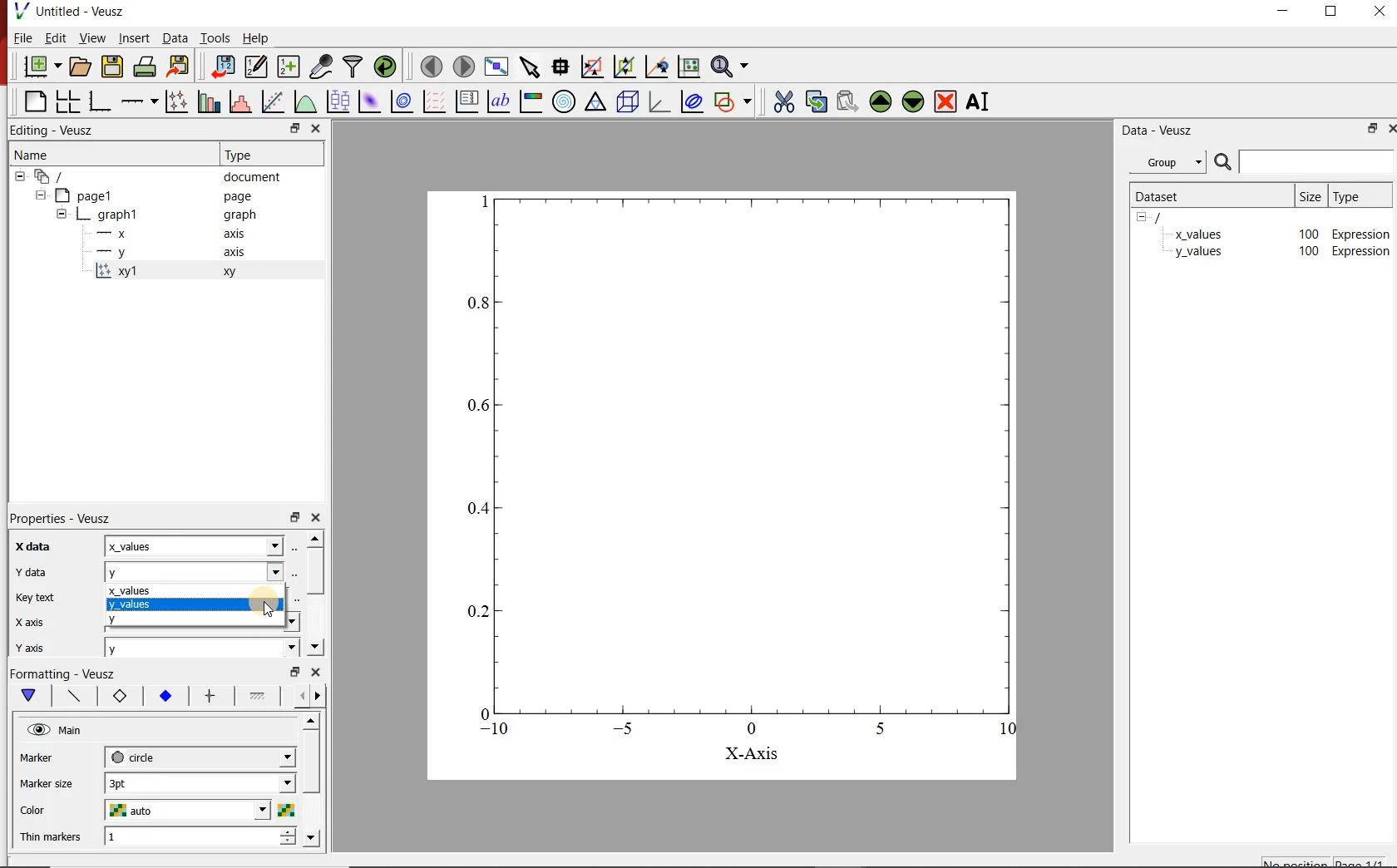 This screenshot has height=868, width=1397. Describe the element at coordinates (561, 66) in the screenshot. I see `read data points on the graph` at that location.